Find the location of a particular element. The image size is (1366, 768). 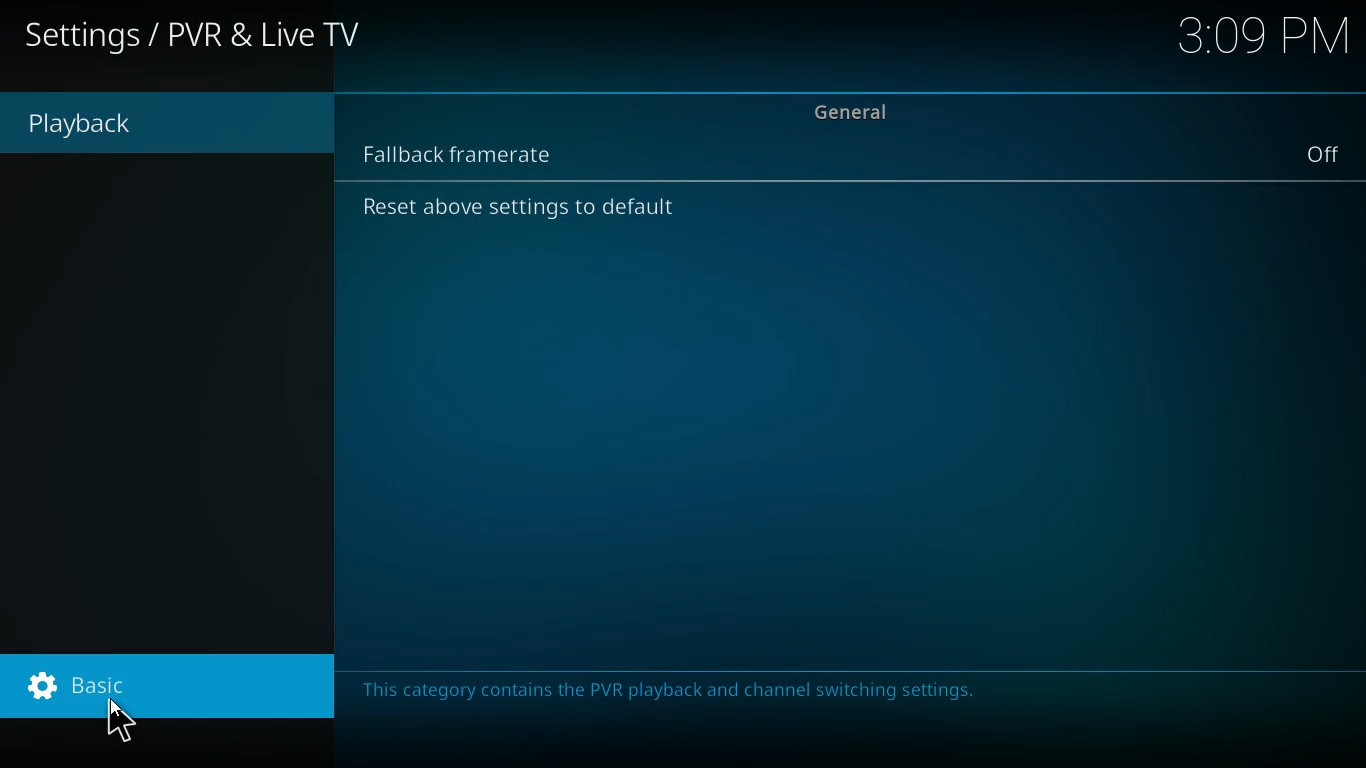

fallback framerate is located at coordinates (477, 151).